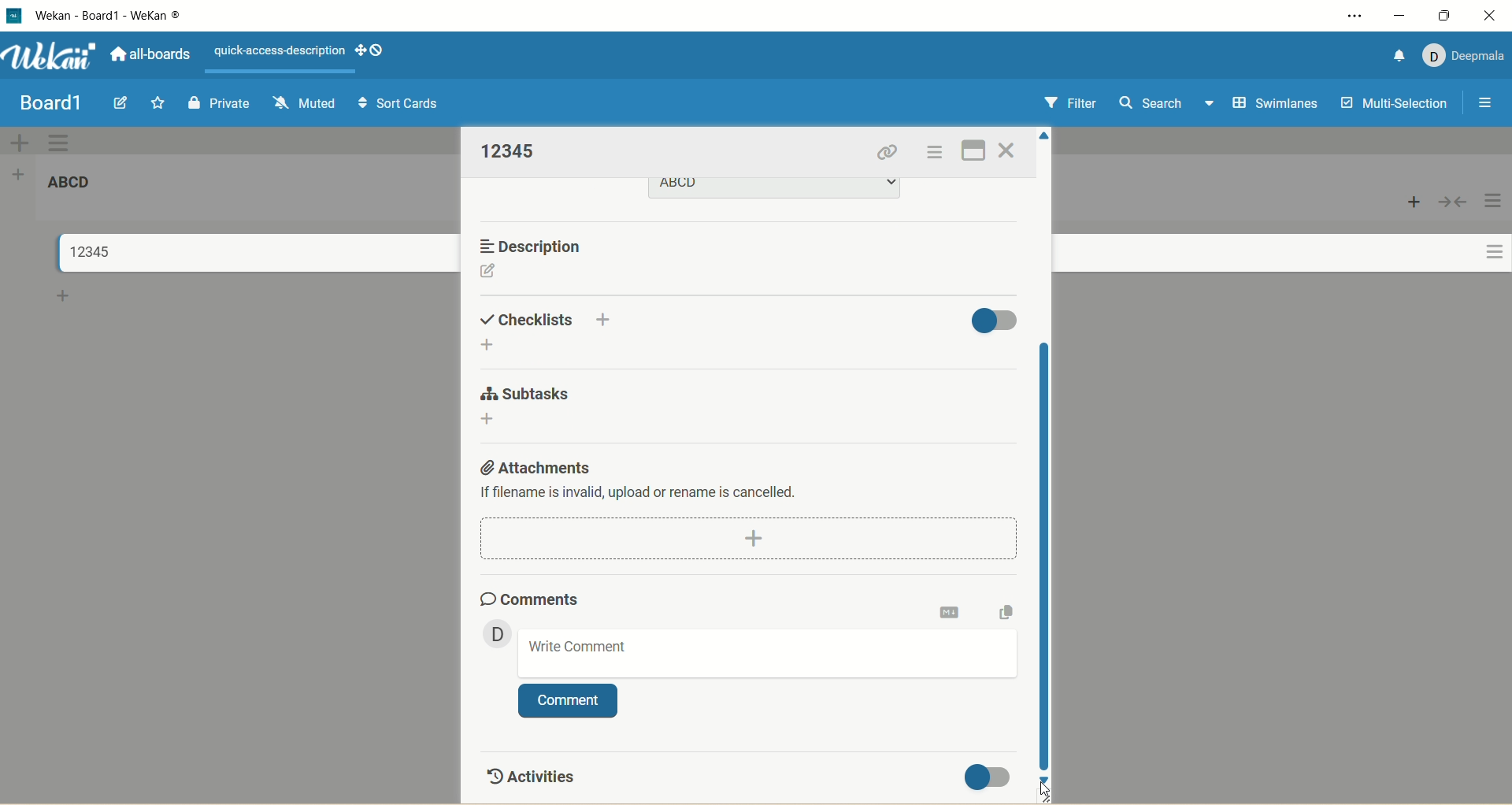  Describe the element at coordinates (301, 101) in the screenshot. I see `muted` at that location.